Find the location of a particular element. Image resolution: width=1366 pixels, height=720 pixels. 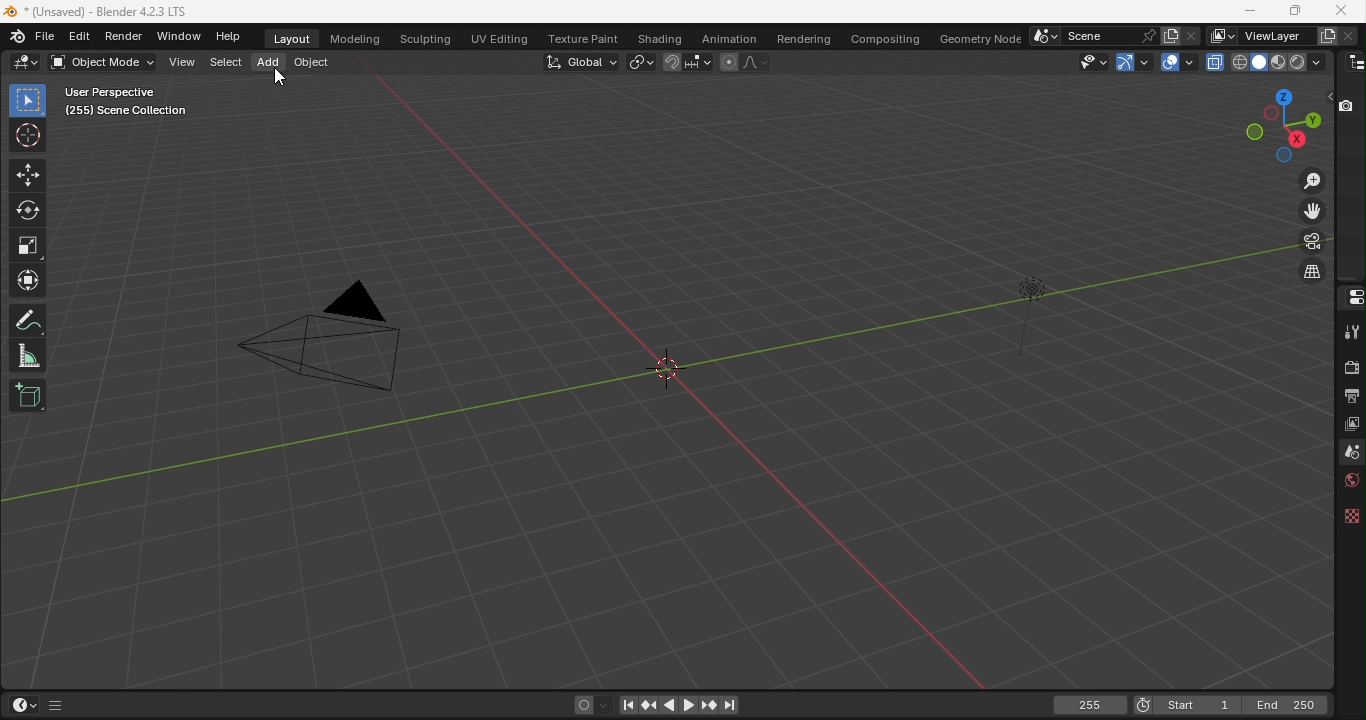

Play animation is located at coordinates (666, 705).